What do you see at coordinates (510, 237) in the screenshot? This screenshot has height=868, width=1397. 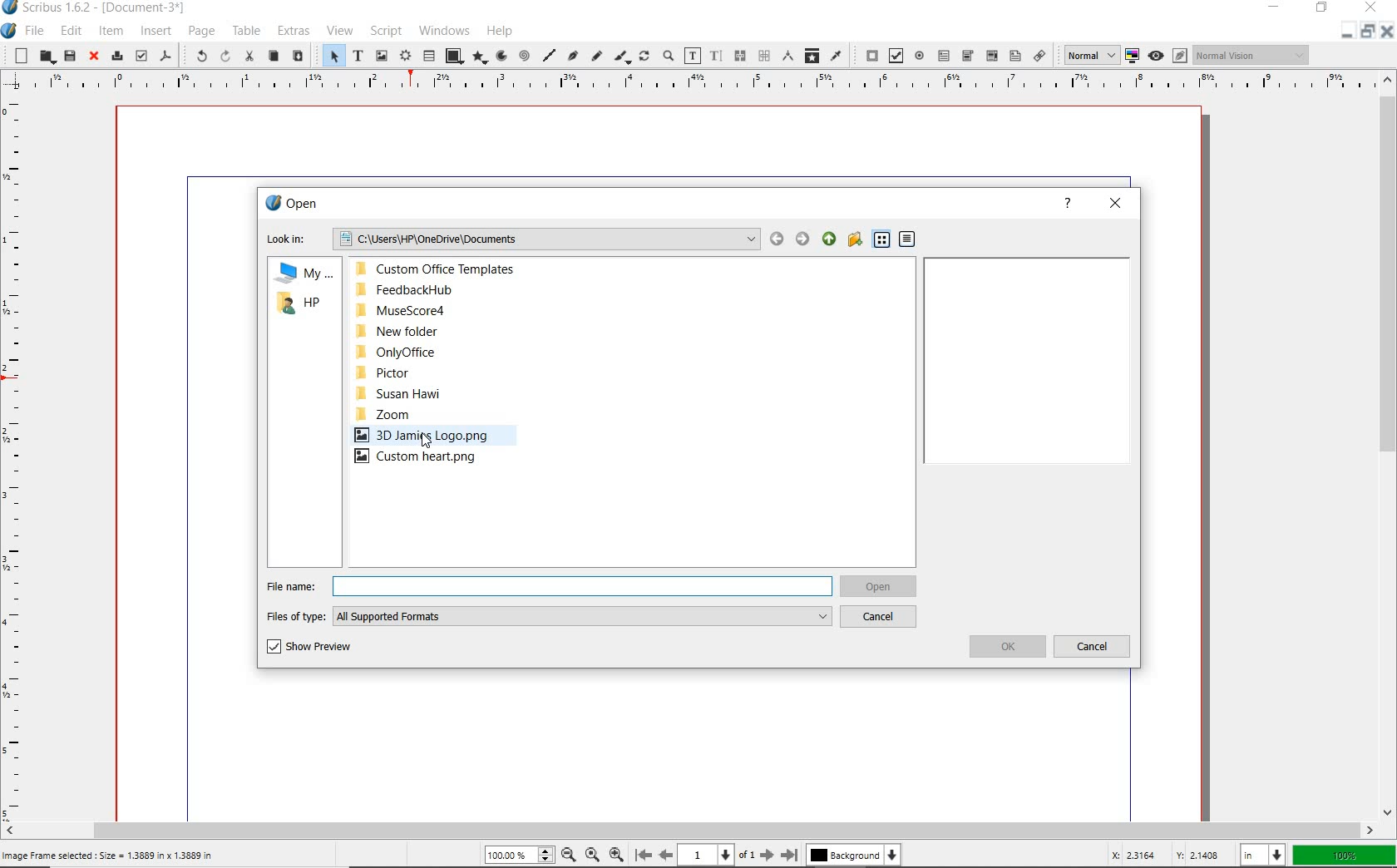 I see `LOOK IN` at bounding box center [510, 237].